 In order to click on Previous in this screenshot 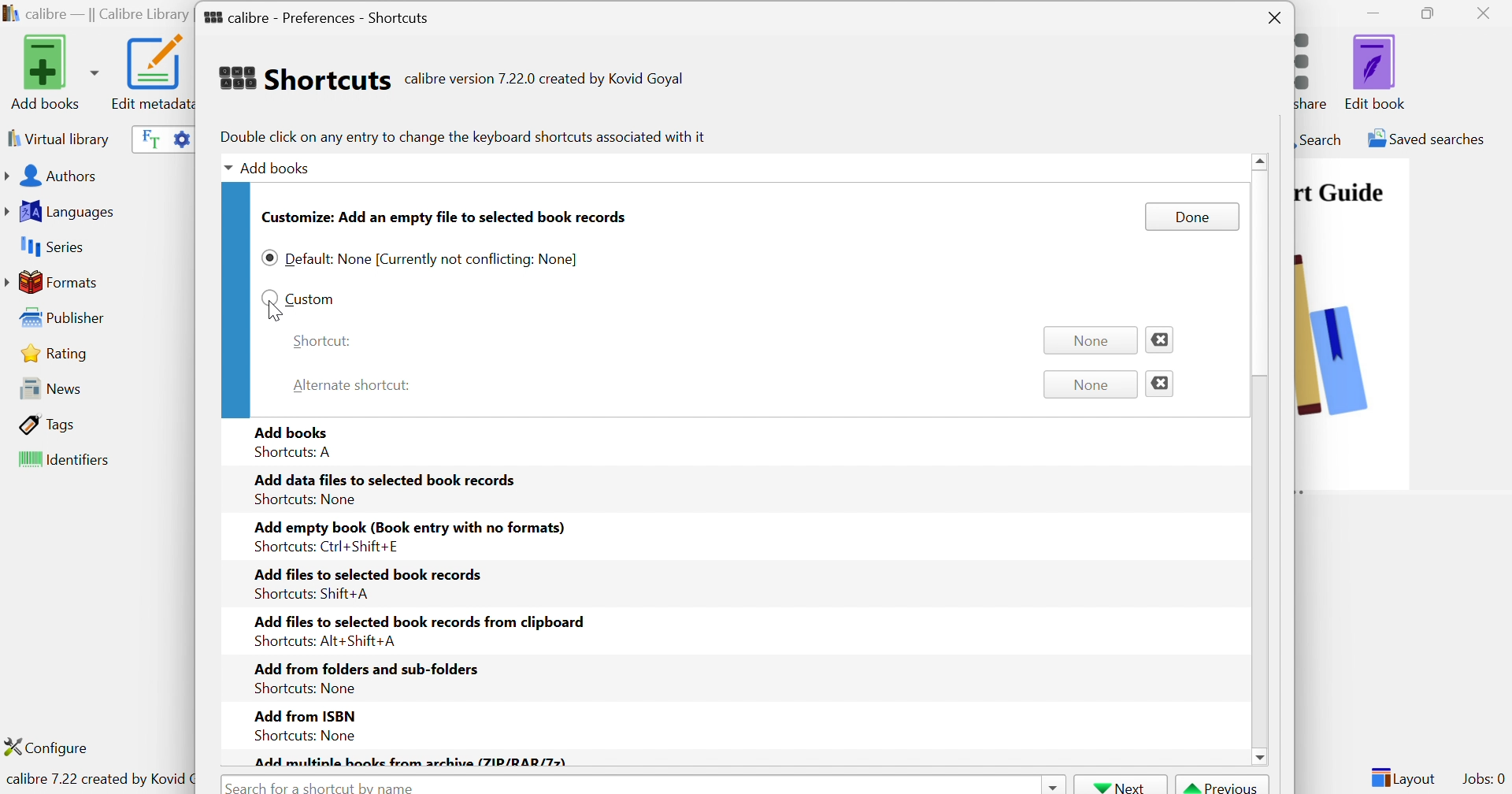, I will do `click(1223, 785)`.